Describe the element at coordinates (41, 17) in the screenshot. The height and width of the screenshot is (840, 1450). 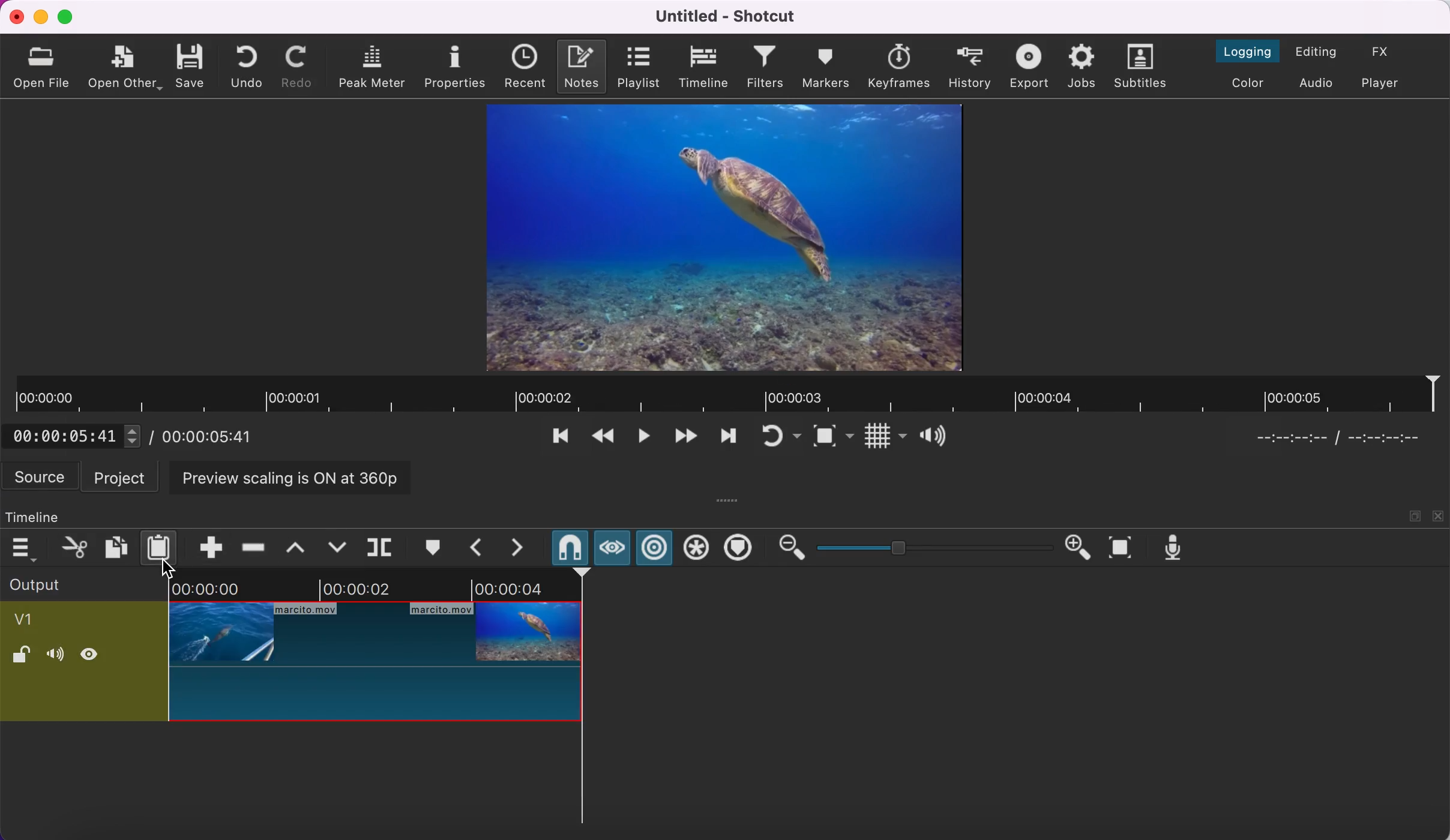
I see `minimize` at that location.